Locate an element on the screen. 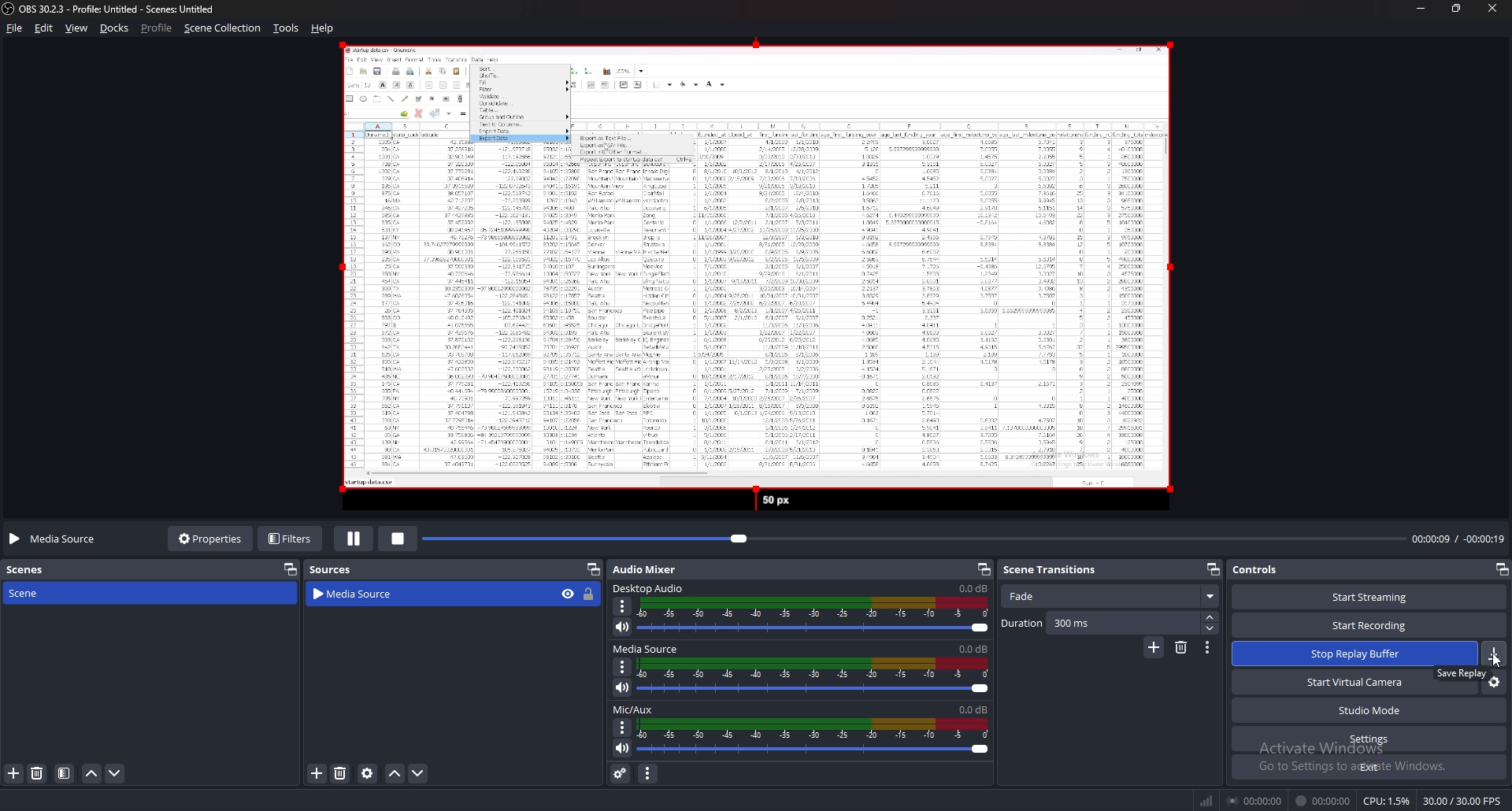 The image size is (1512, 811). 00:00:05 / -00:00:23 is located at coordinates (1458, 539).